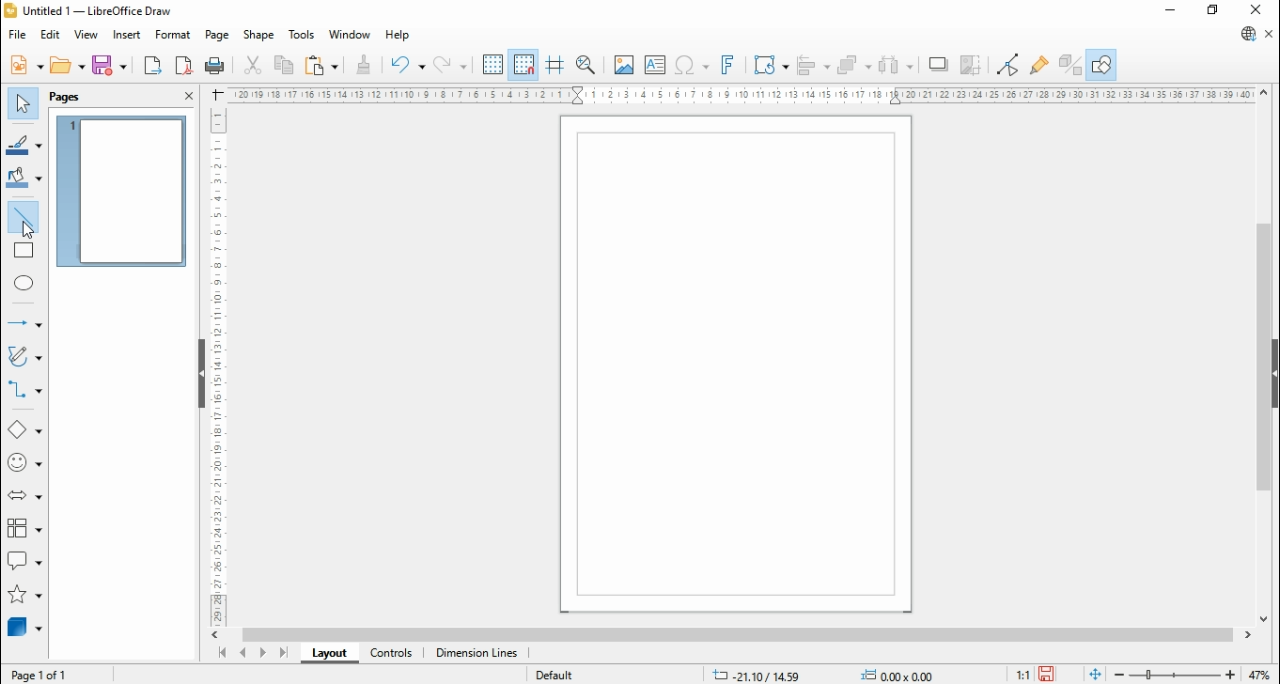 This screenshot has height=684, width=1280. I want to click on help, so click(398, 35).